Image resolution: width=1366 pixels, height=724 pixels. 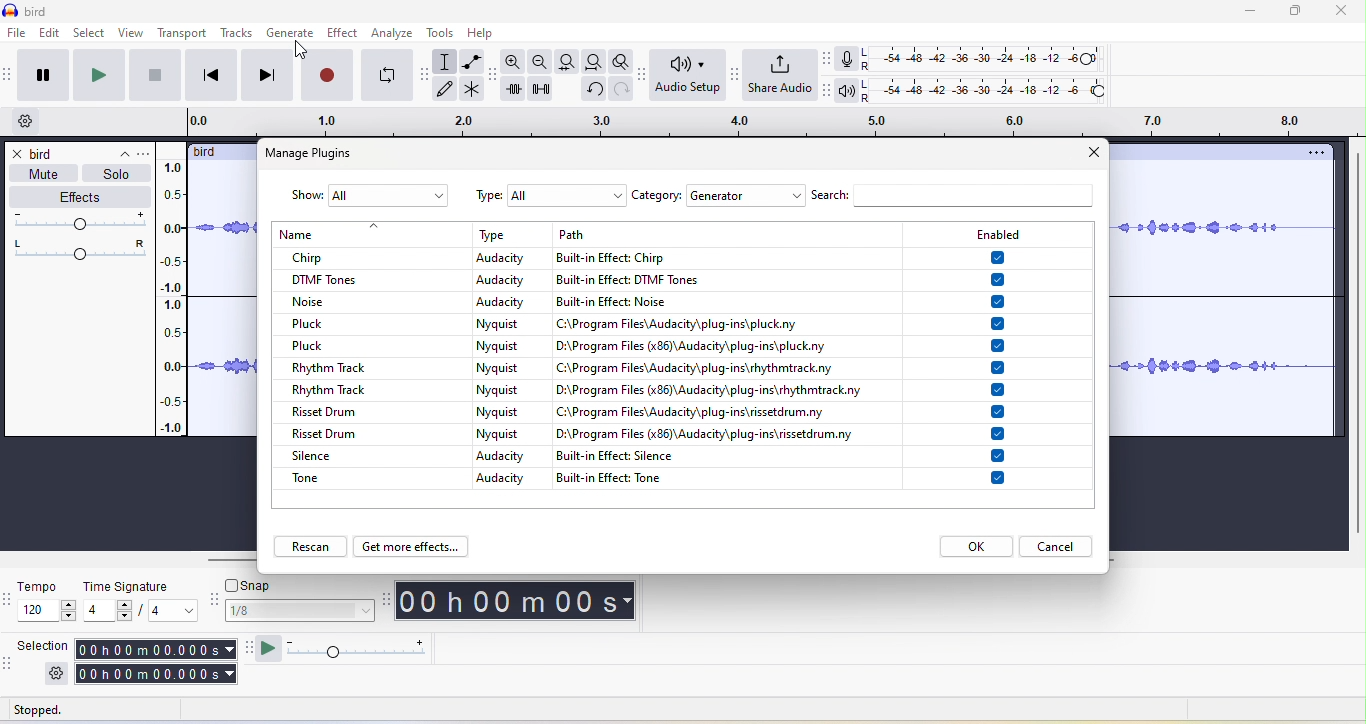 What do you see at coordinates (75, 222) in the screenshot?
I see `volume` at bounding box center [75, 222].